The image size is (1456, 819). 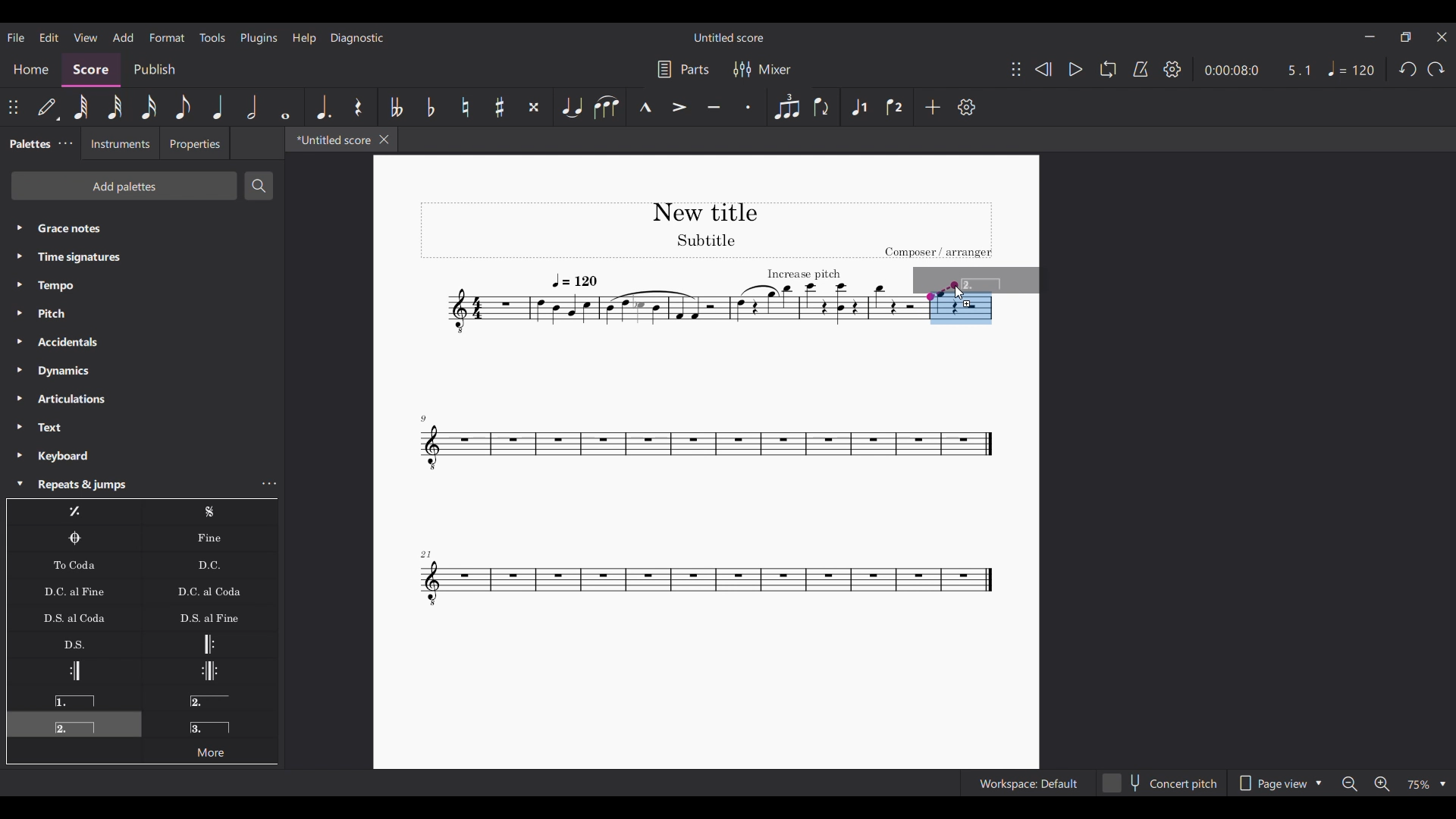 I want to click on Zoom out, so click(x=1351, y=784).